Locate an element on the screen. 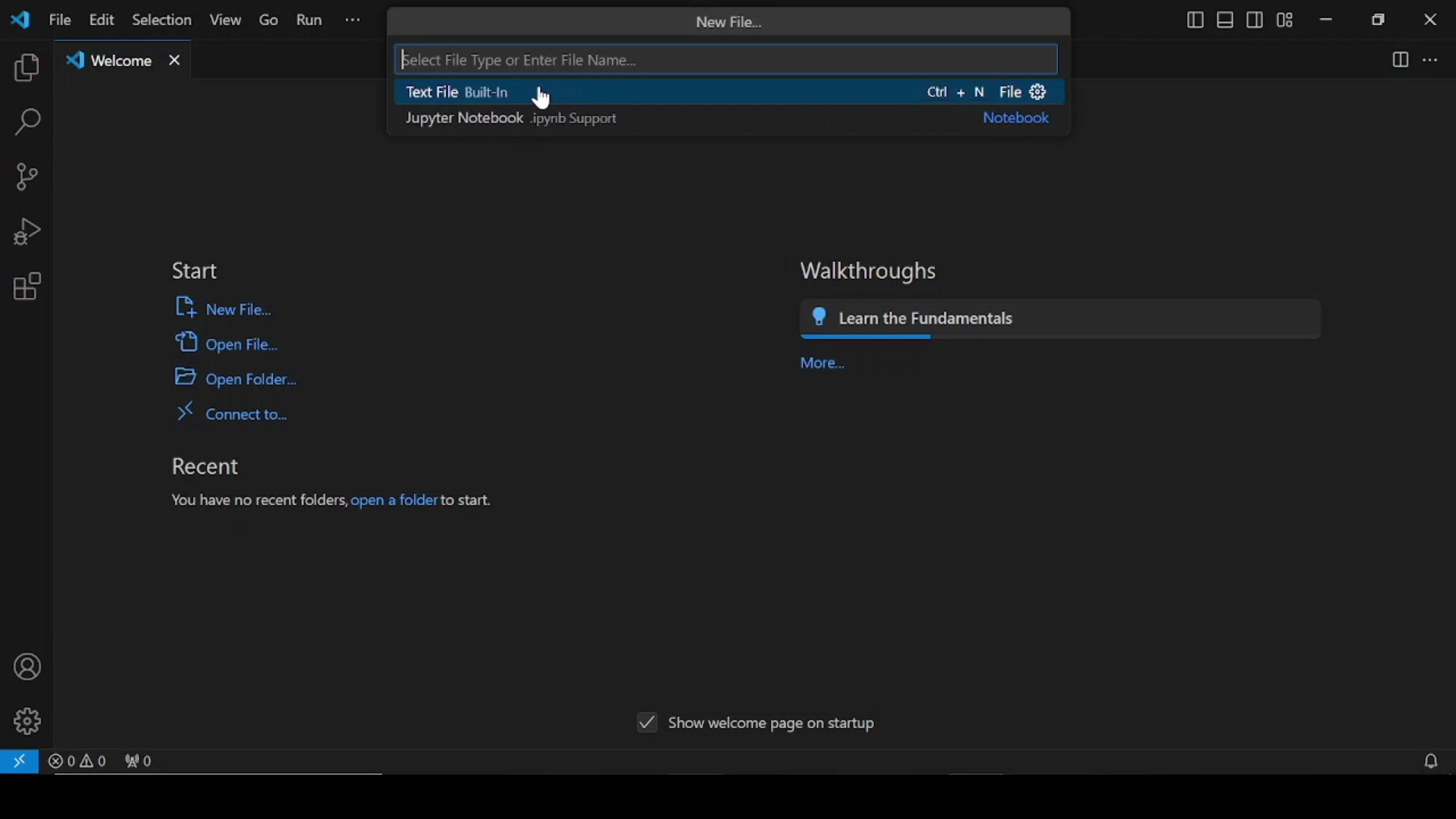 This screenshot has height=819, width=1456. Notebook is located at coordinates (1021, 119).